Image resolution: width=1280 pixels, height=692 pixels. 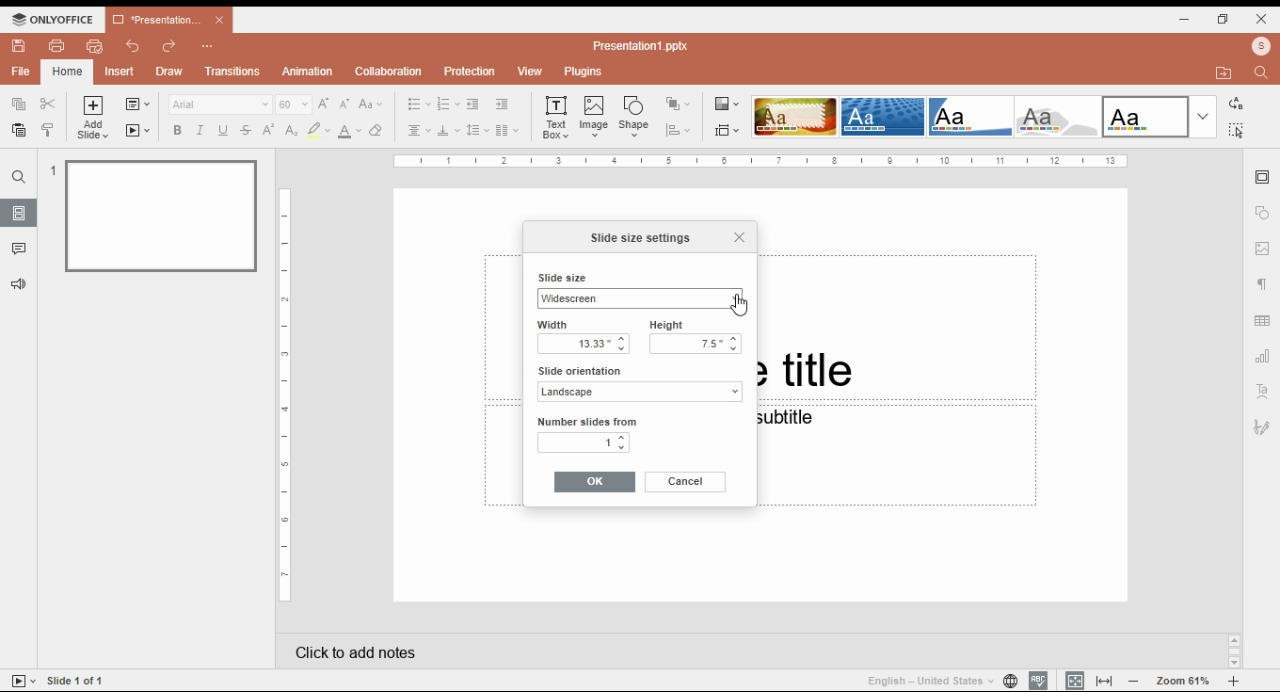 I want to click on copy style, so click(x=50, y=129).